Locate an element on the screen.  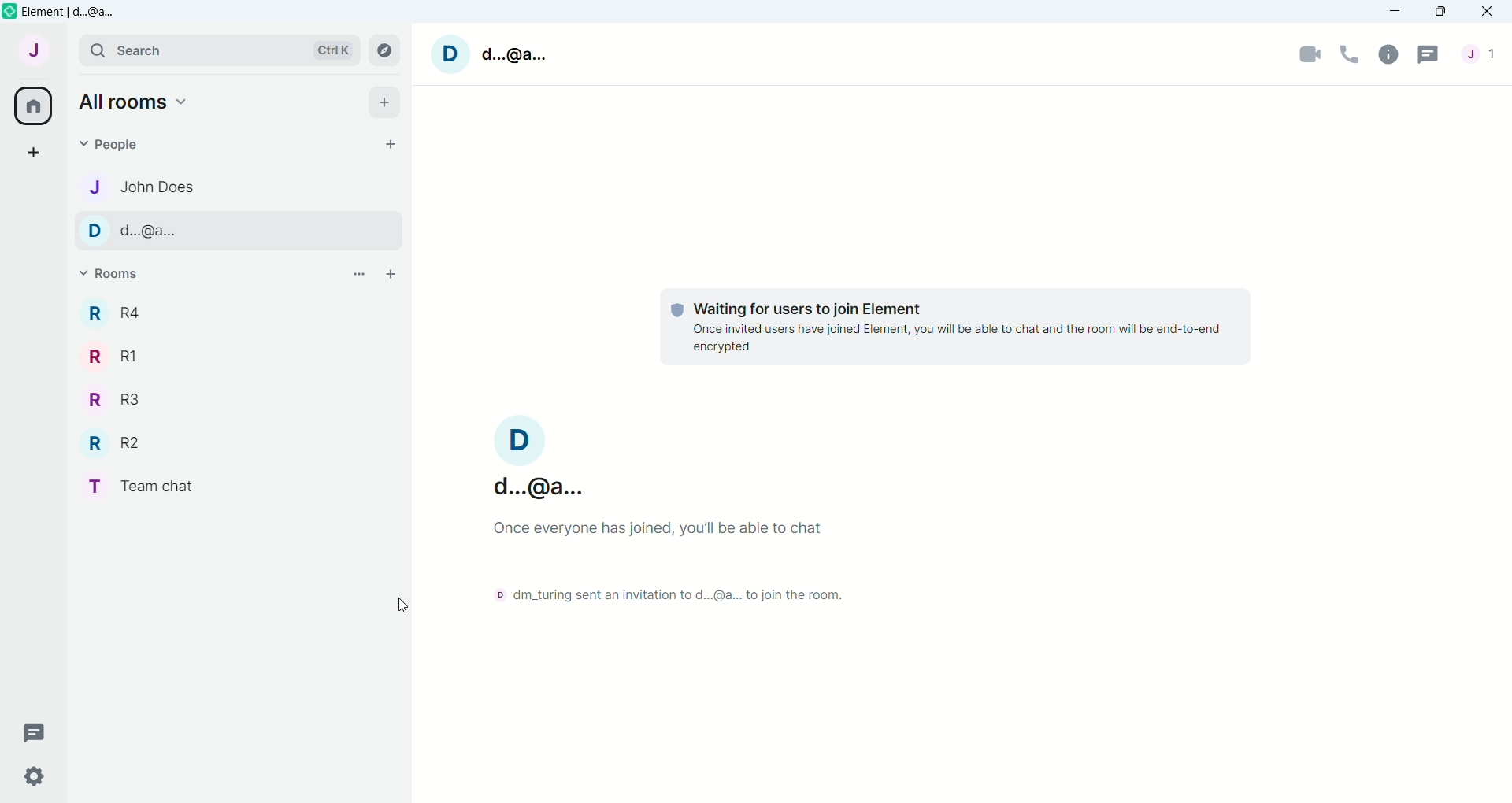
Text is located at coordinates (957, 328).